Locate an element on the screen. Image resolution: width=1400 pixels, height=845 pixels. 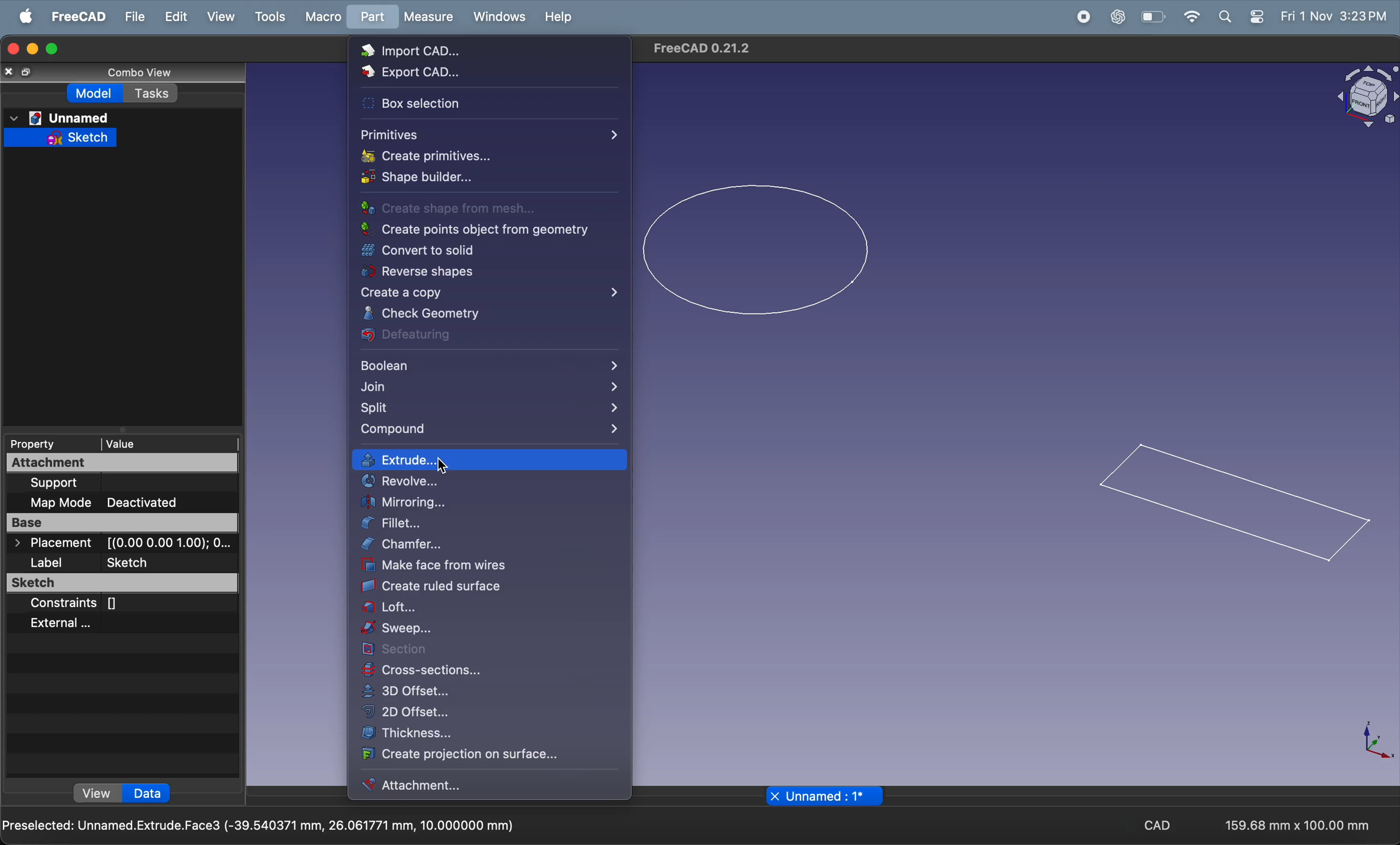
Defeaturing is located at coordinates (480, 337).